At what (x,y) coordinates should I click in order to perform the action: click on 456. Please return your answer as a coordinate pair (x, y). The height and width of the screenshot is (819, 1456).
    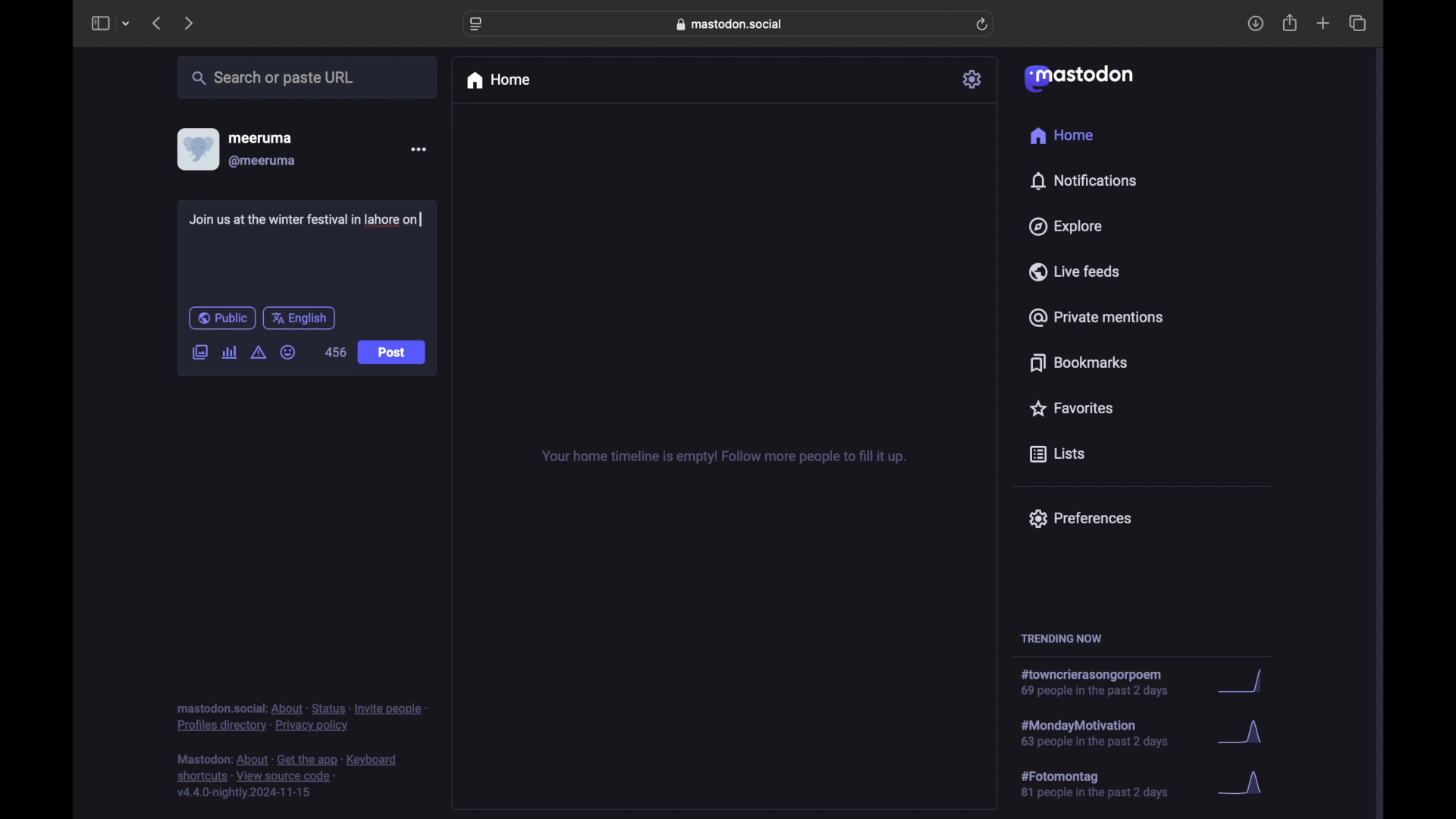
    Looking at the image, I should click on (335, 352).